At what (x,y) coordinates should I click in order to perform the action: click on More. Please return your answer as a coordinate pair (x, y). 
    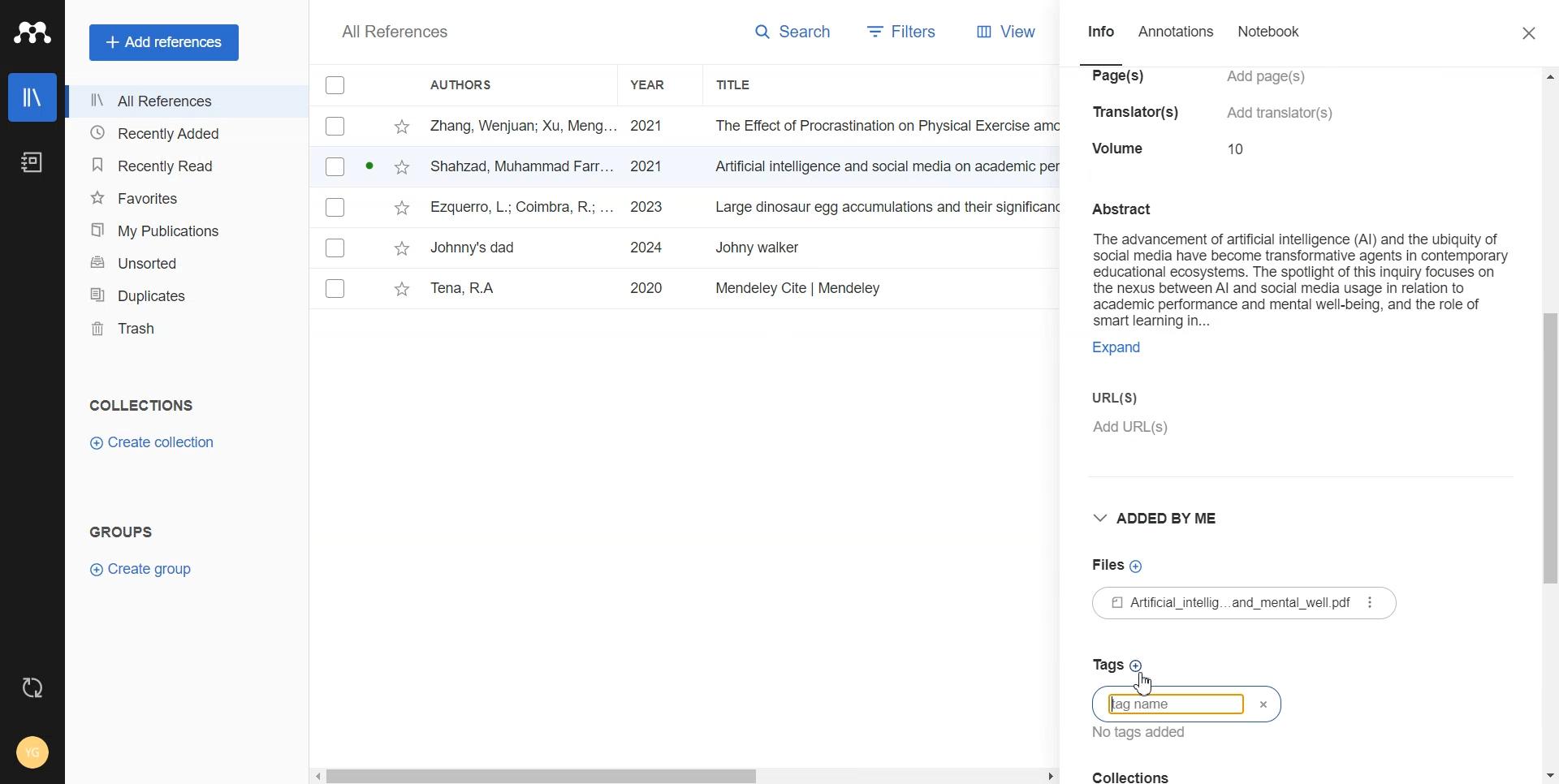
    Looking at the image, I should click on (1368, 603).